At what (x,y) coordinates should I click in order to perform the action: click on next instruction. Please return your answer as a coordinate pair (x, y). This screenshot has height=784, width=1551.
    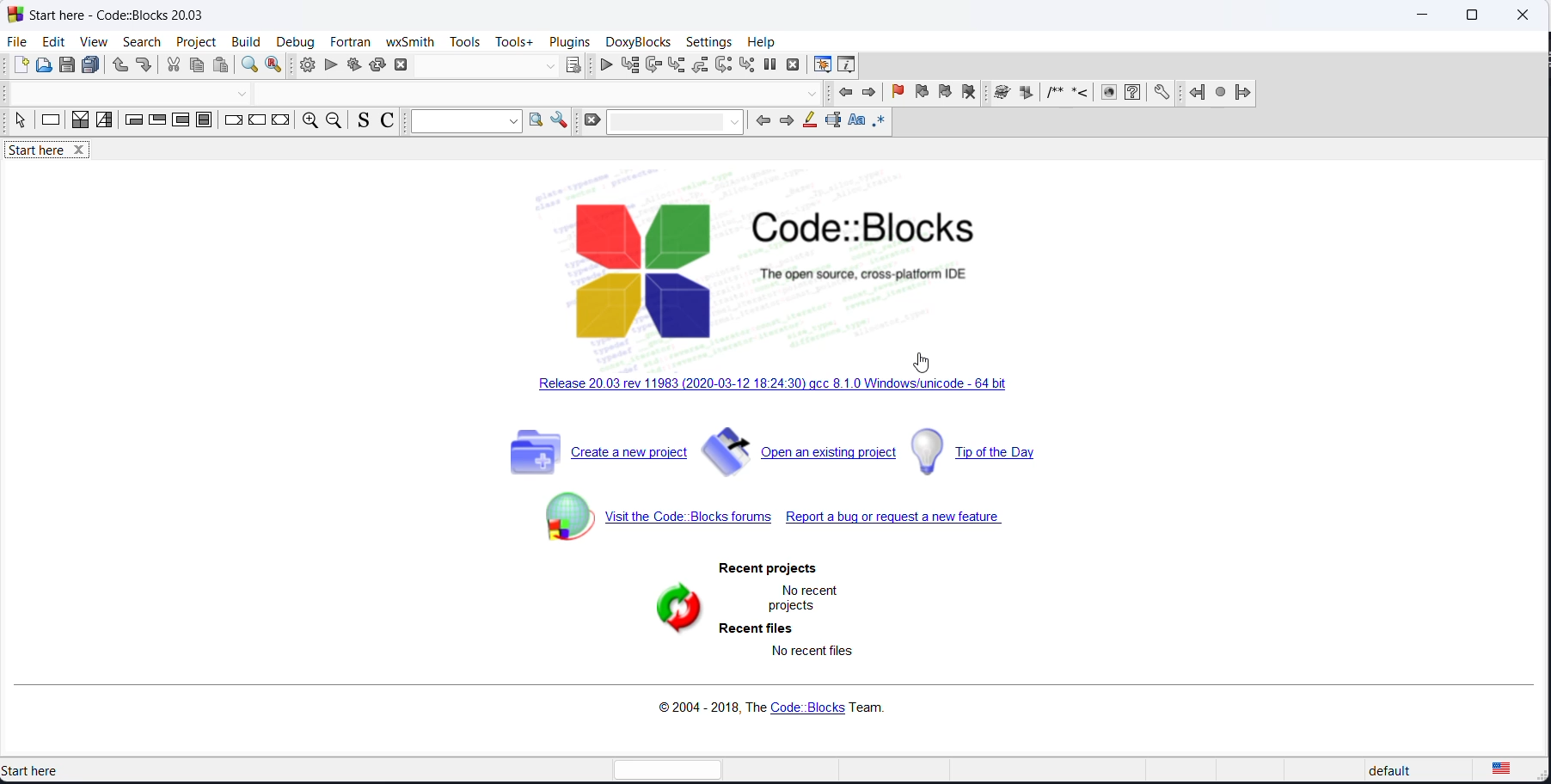
    Looking at the image, I should click on (723, 66).